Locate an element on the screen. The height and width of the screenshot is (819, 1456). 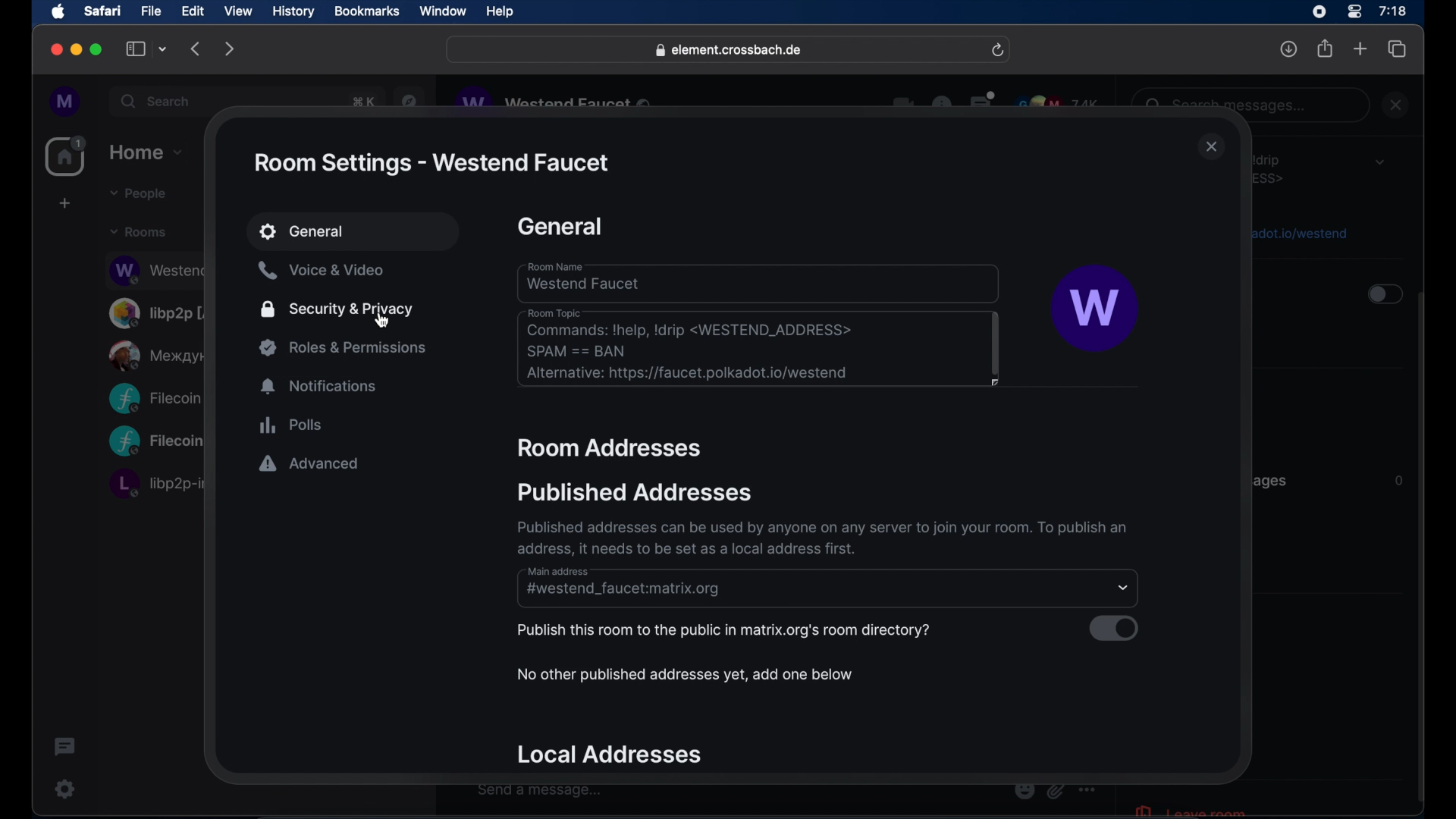
room topic is located at coordinates (760, 350).